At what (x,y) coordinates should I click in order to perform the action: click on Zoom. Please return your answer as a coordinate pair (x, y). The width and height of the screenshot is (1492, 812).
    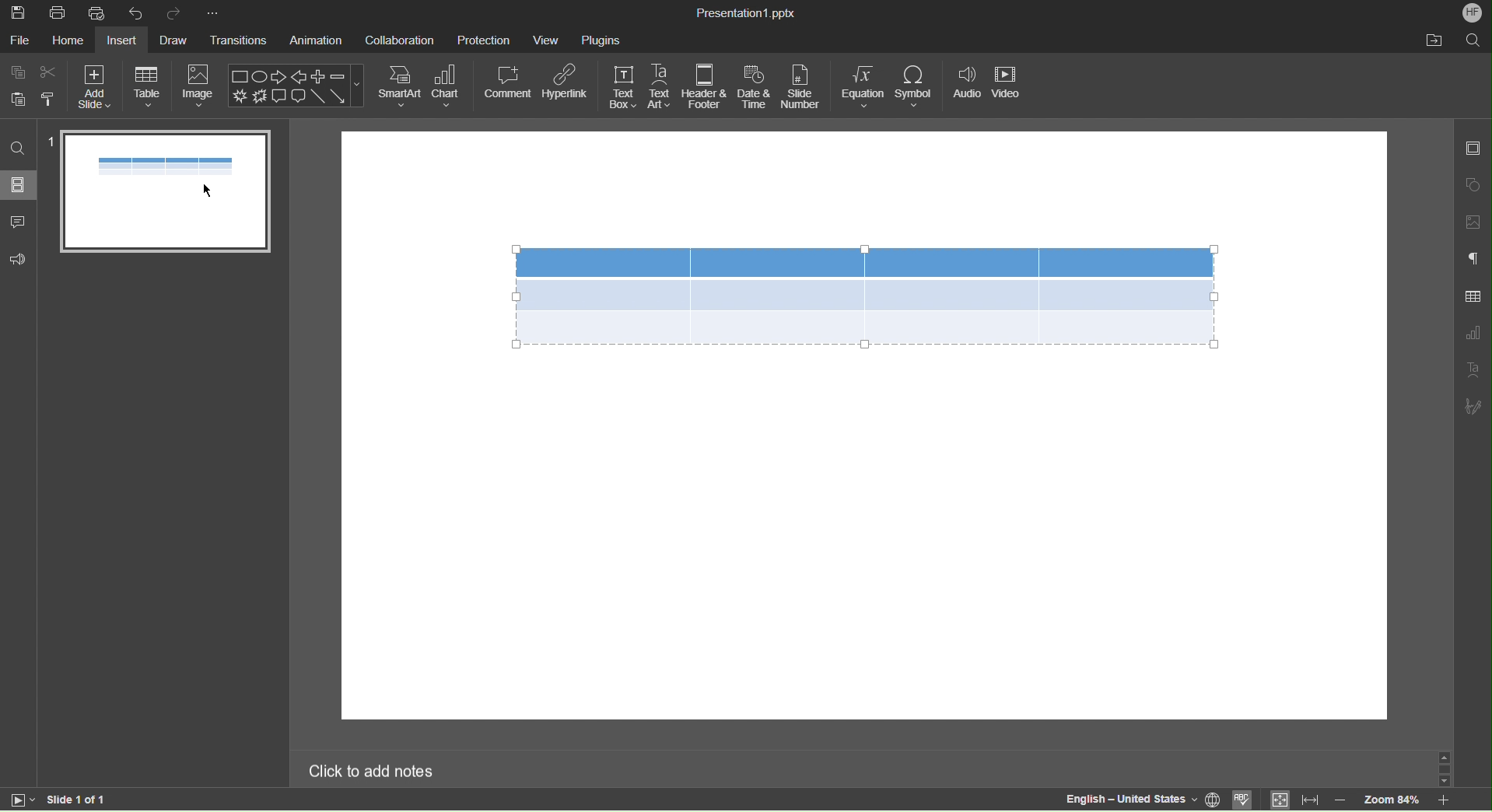
    Looking at the image, I should click on (1389, 802).